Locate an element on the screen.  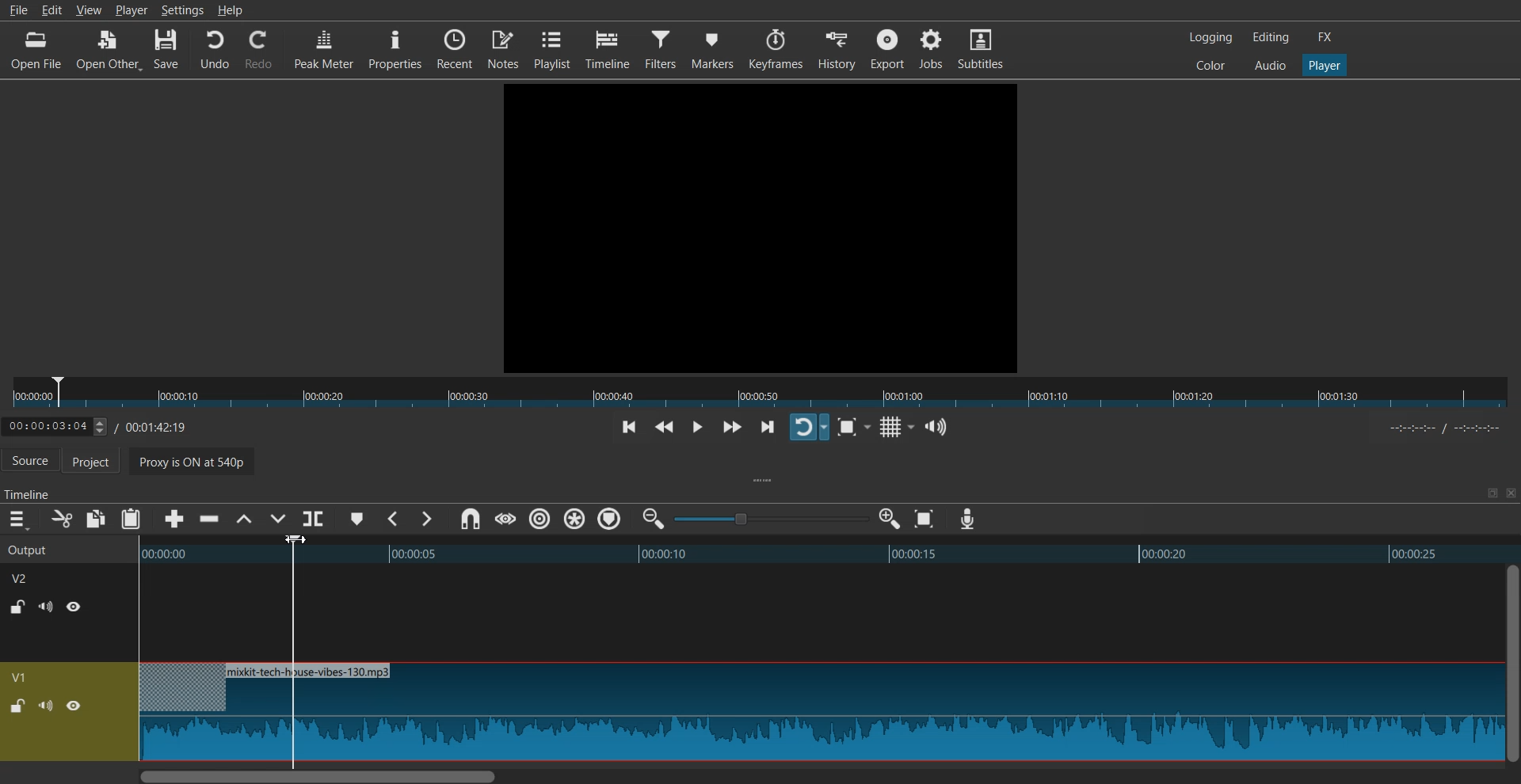
Properties is located at coordinates (395, 48).